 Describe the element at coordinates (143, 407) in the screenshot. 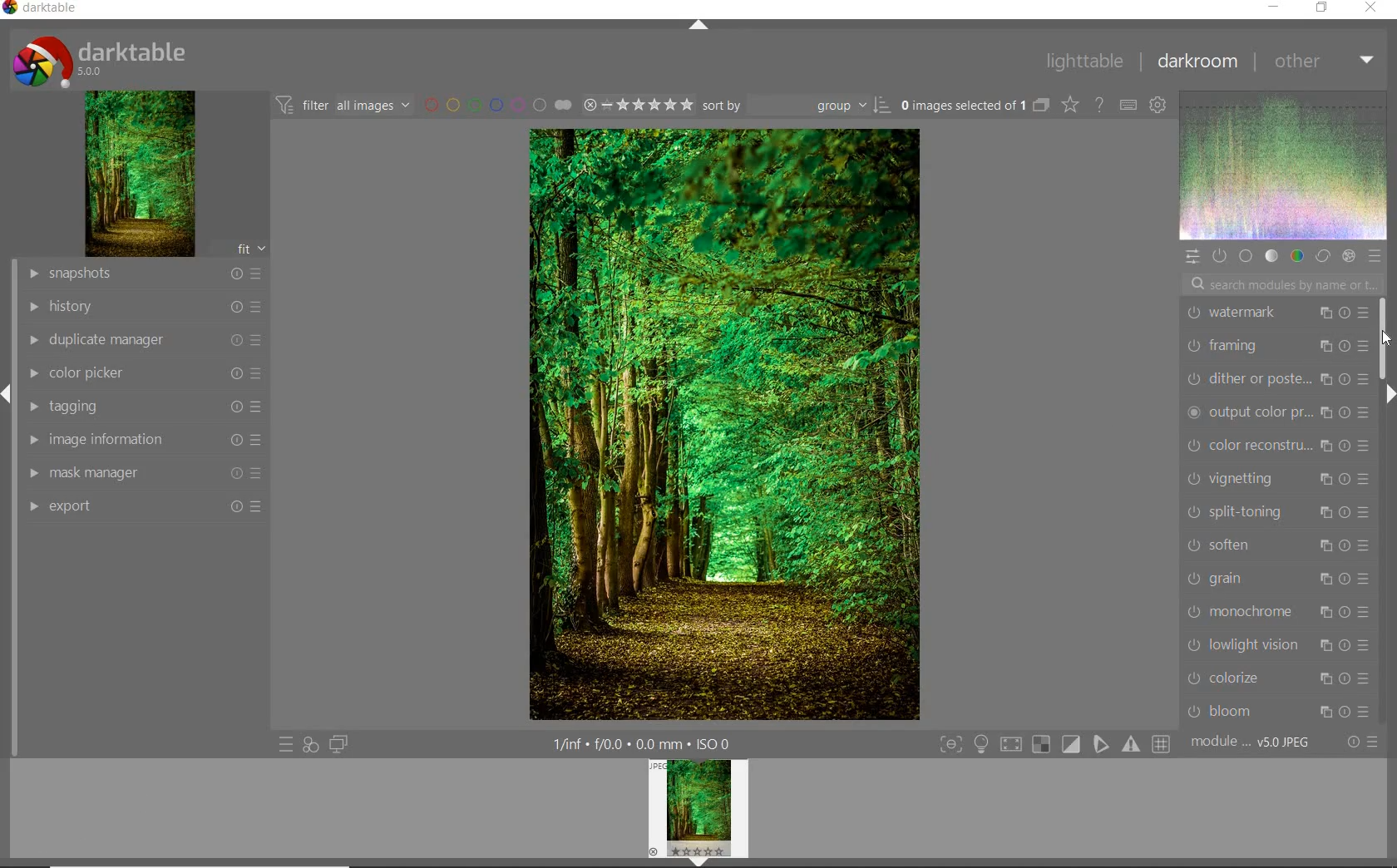

I see `TAGGING` at that location.